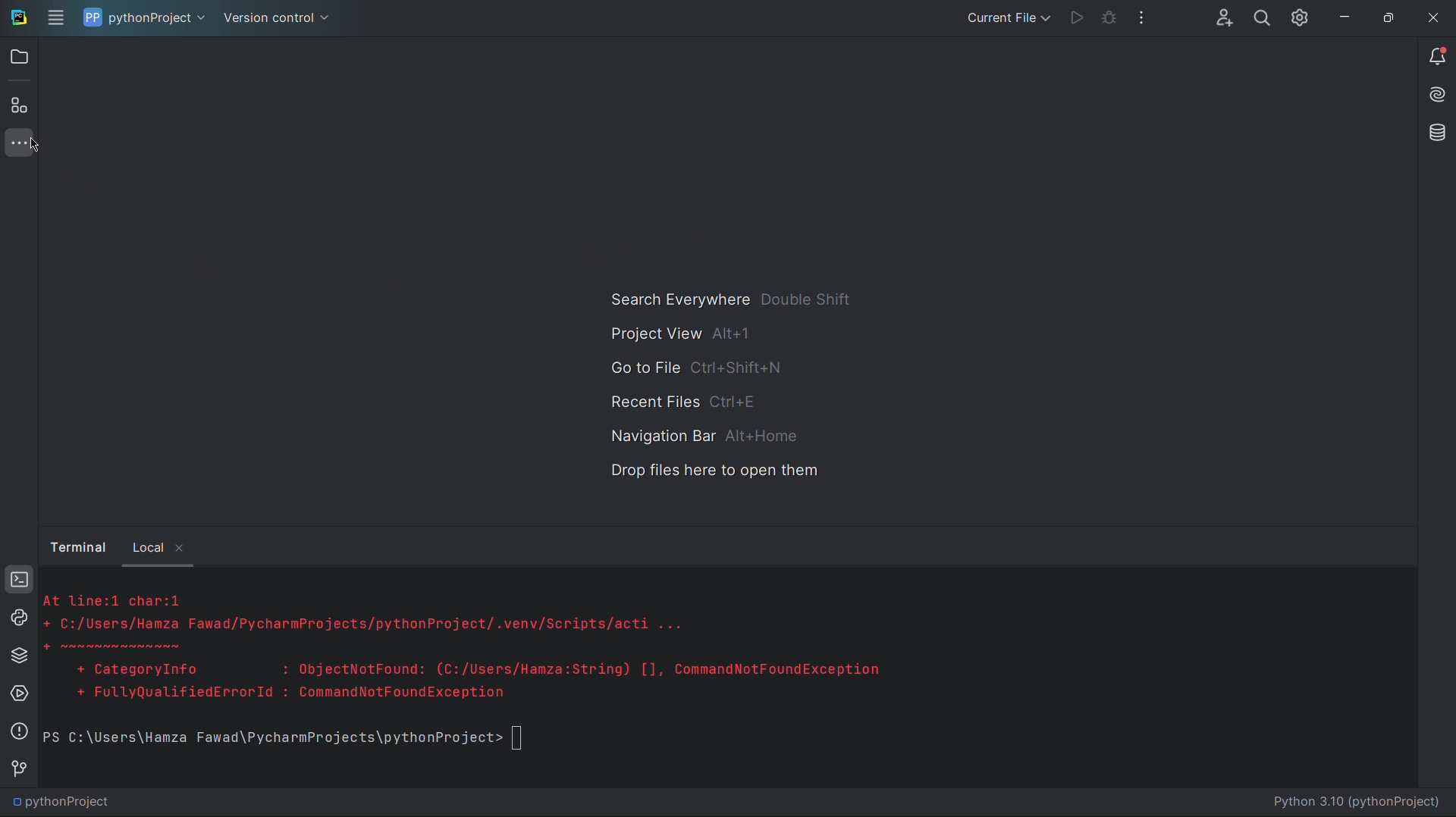 The image size is (1456, 817). What do you see at coordinates (79, 546) in the screenshot?
I see `terminal` at bounding box center [79, 546].